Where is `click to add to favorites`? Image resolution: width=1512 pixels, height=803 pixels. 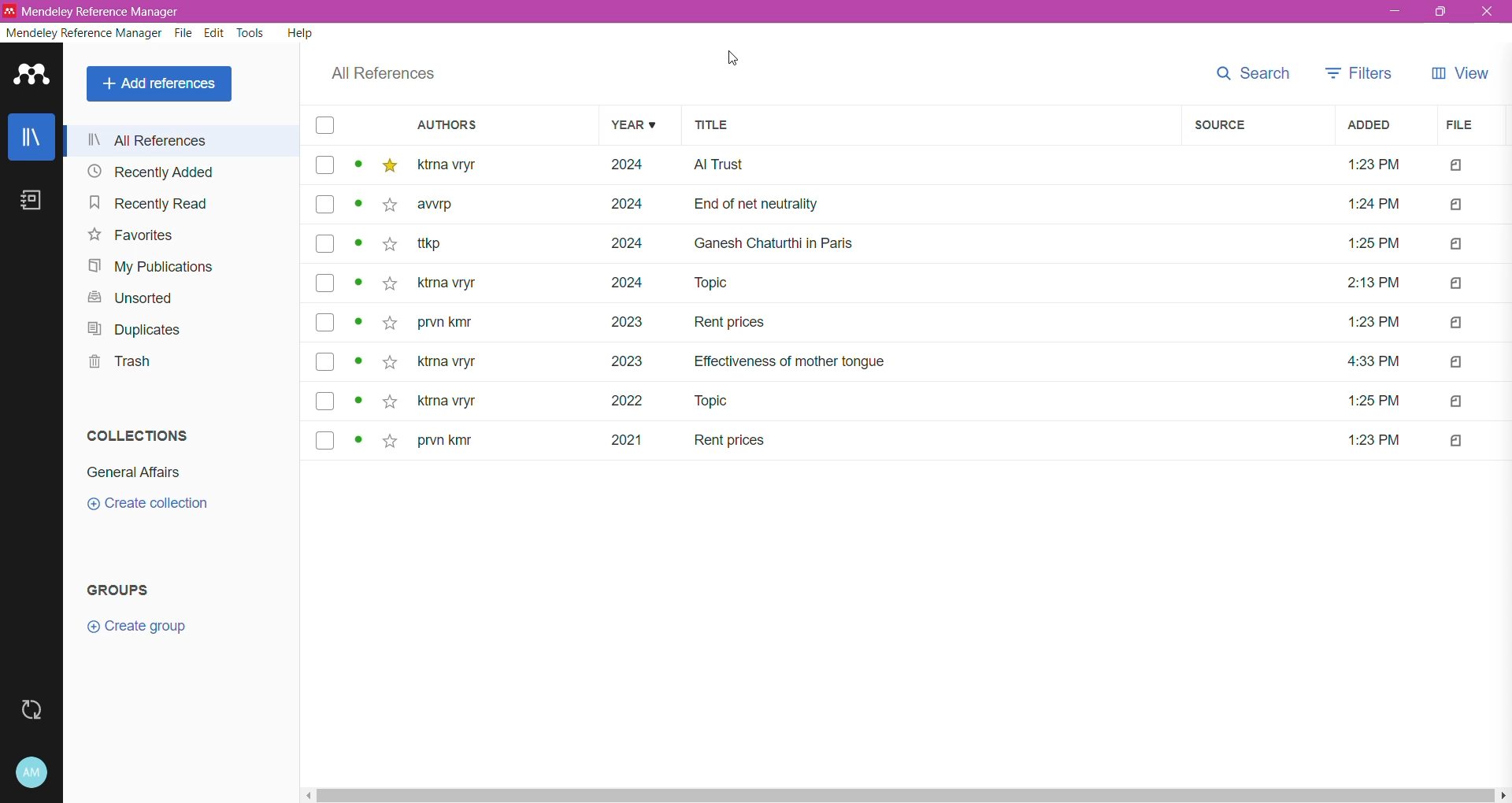
click to add to favorites is located at coordinates (391, 166).